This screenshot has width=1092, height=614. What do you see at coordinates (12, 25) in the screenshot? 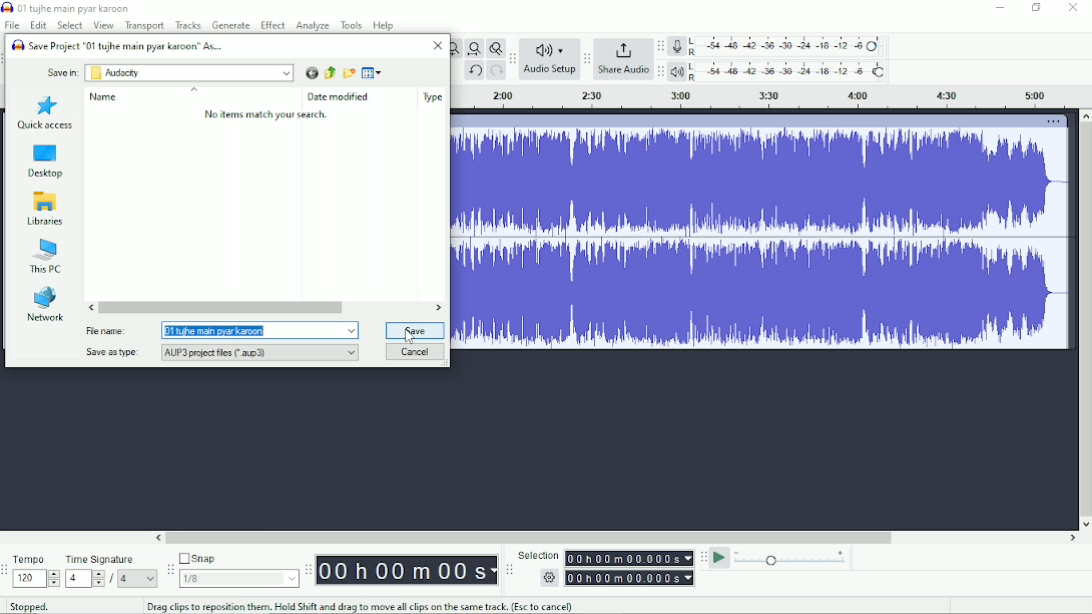
I see `File` at bounding box center [12, 25].